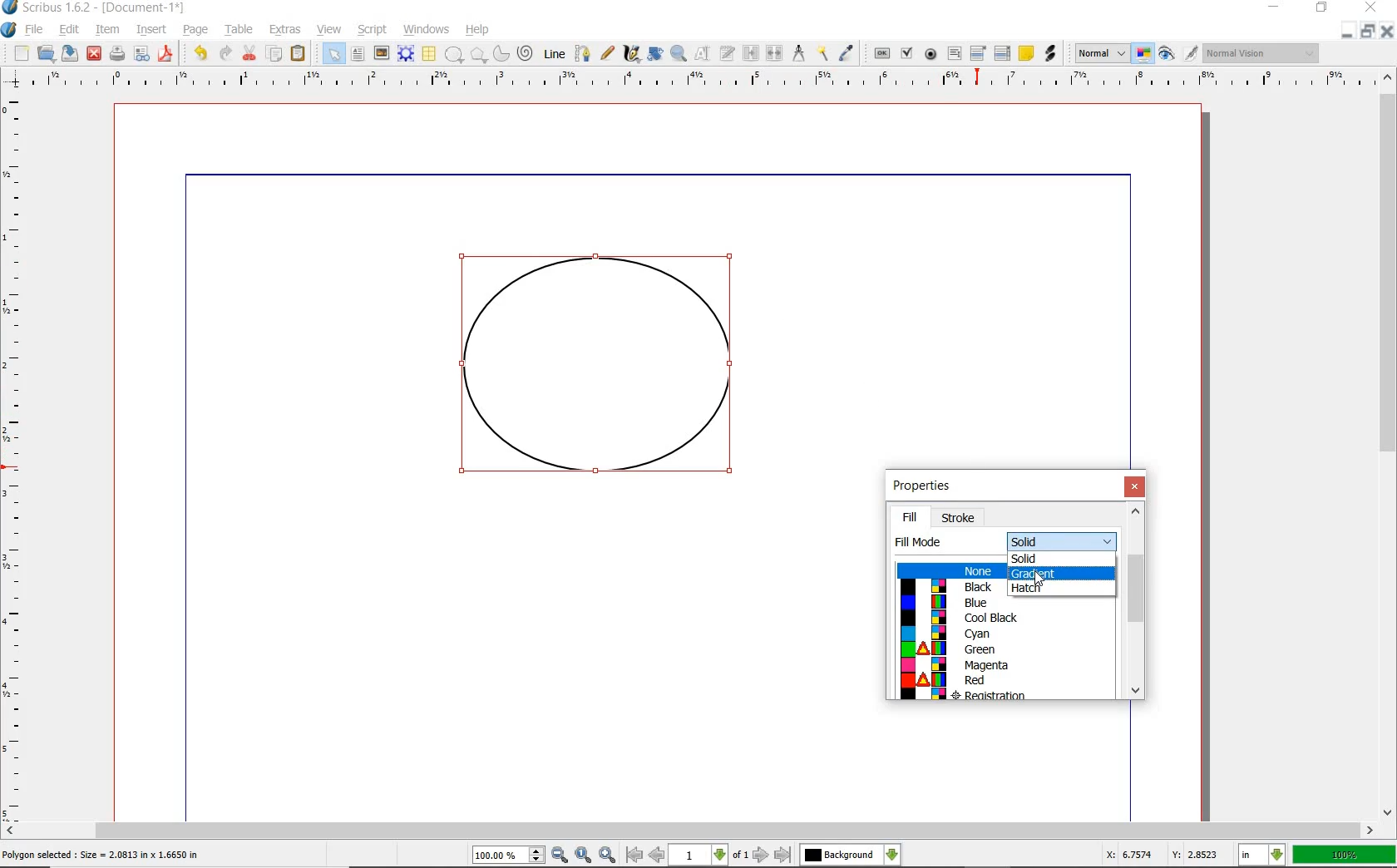 The height and width of the screenshot is (868, 1397). I want to click on selected, so click(101, 856).